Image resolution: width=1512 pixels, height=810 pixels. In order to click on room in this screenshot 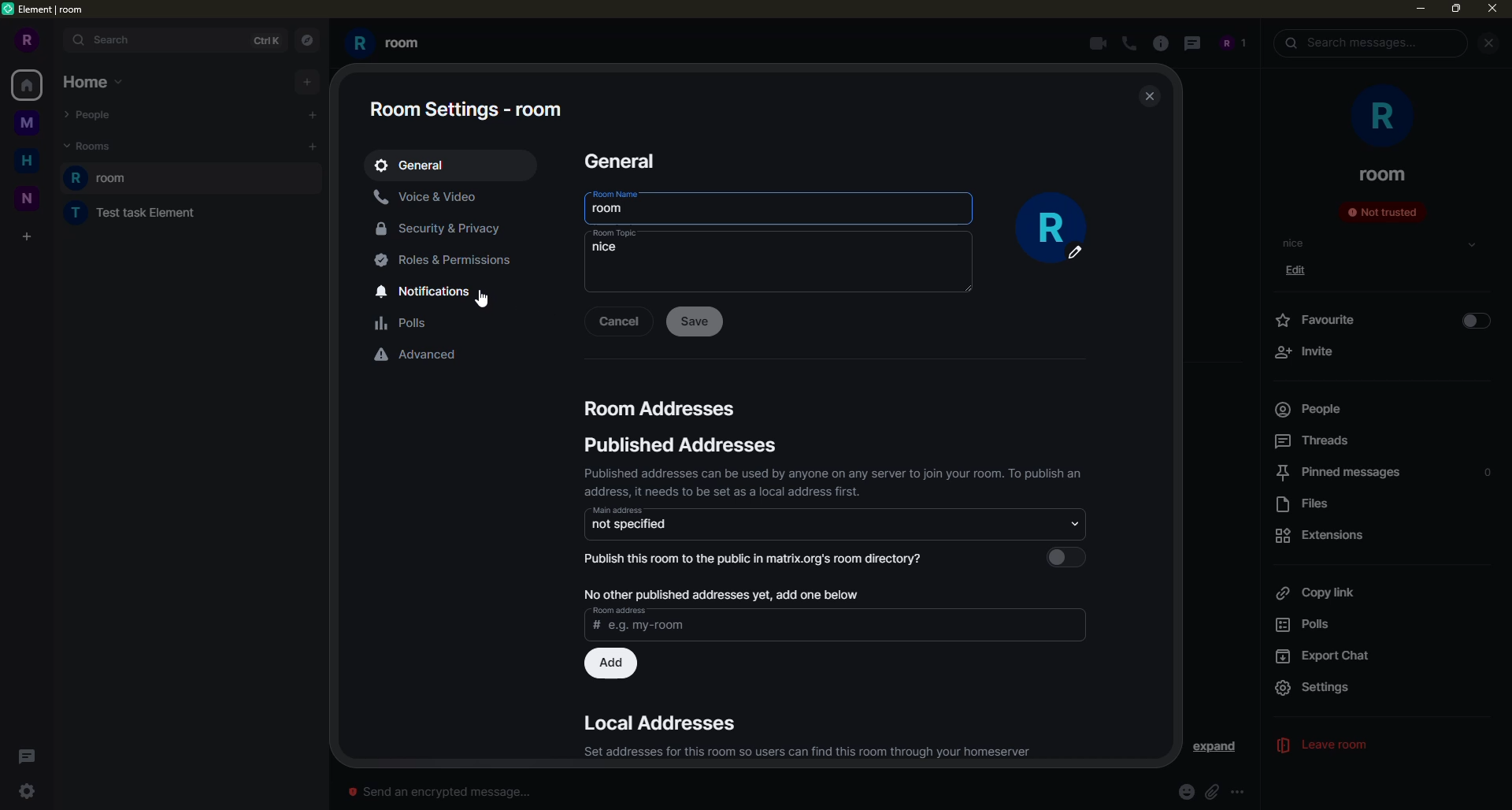, I will do `click(1383, 174)`.